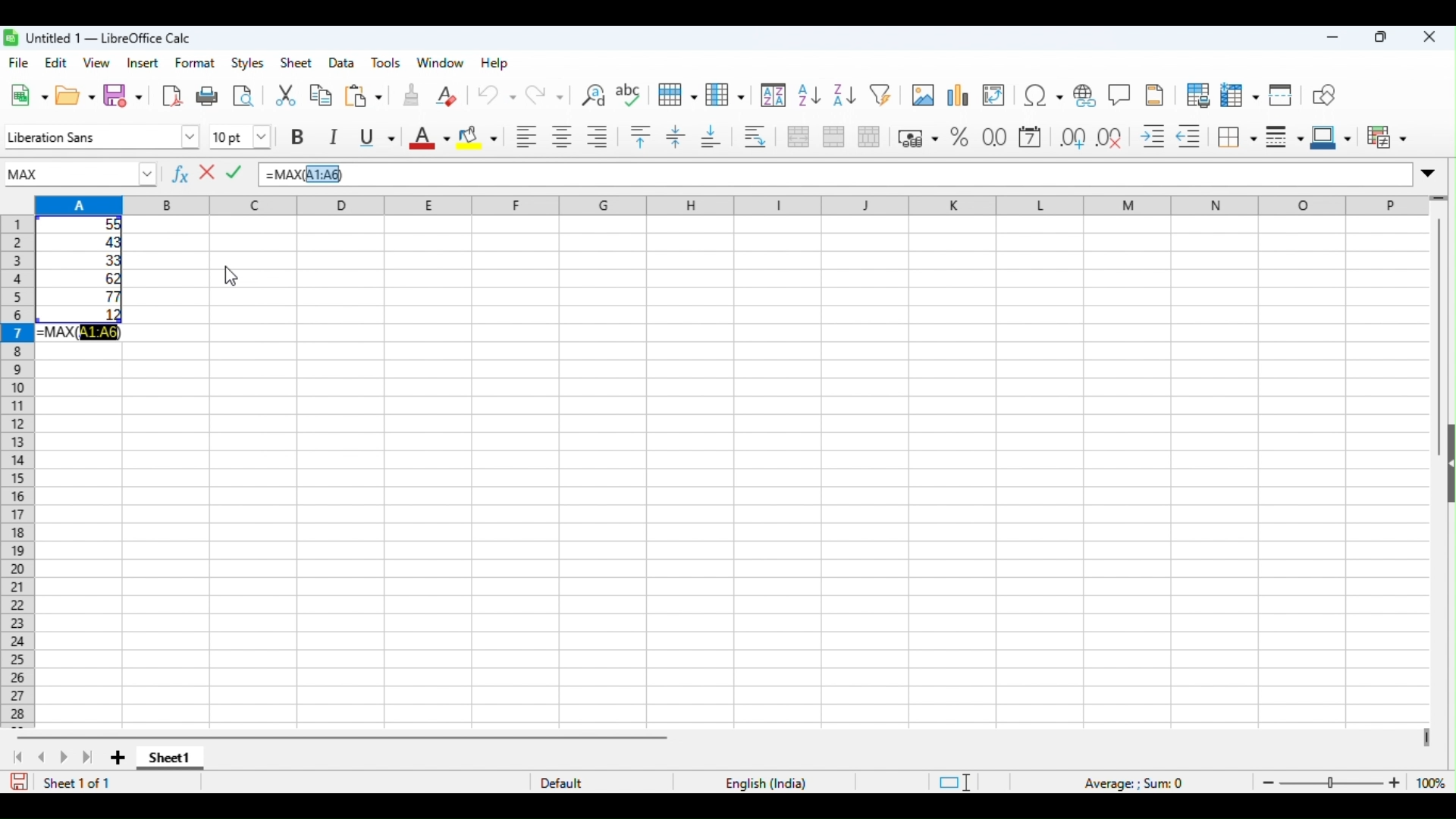  What do you see at coordinates (599, 137) in the screenshot?
I see `align right` at bounding box center [599, 137].